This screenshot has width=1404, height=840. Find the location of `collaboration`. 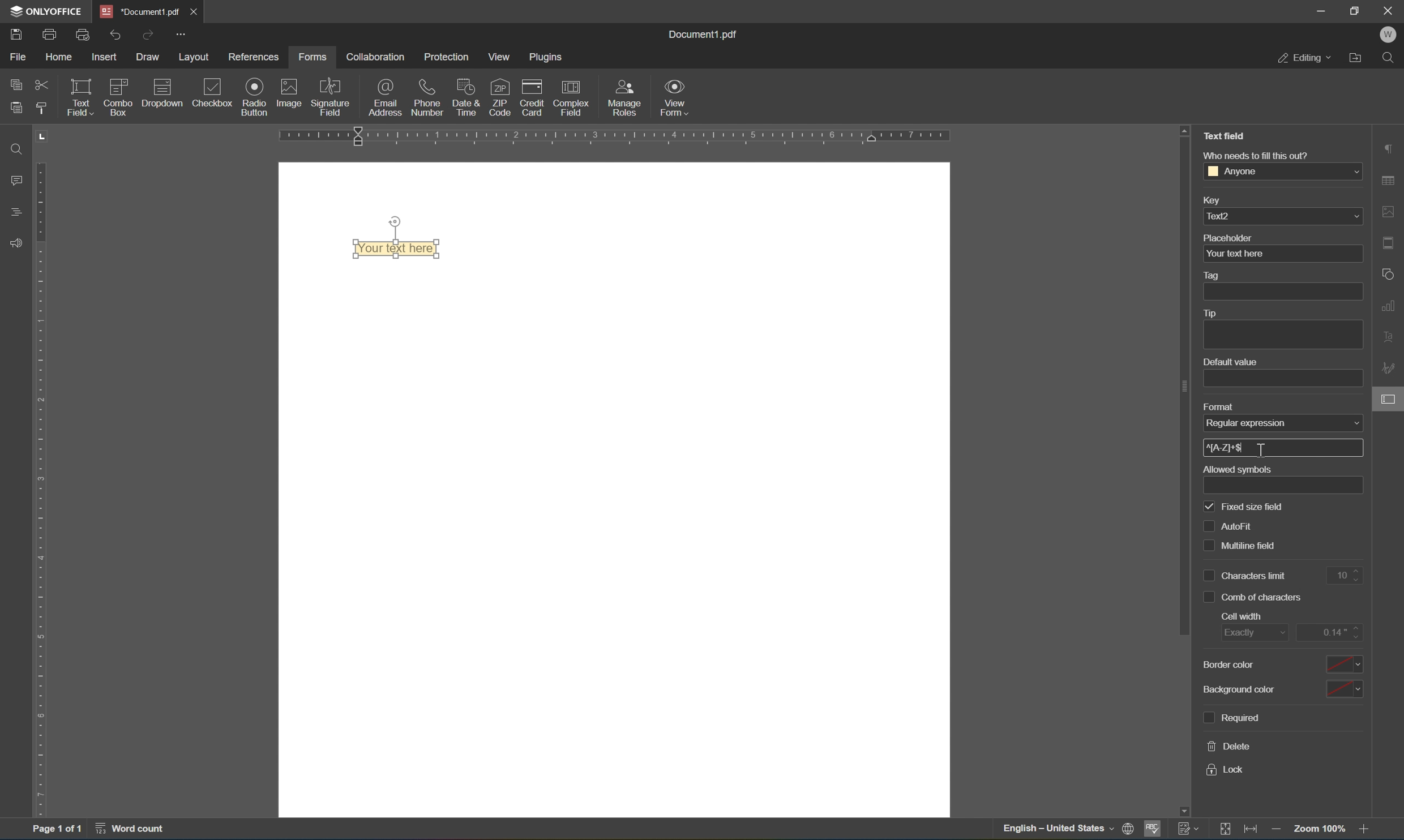

collaboration is located at coordinates (378, 58).